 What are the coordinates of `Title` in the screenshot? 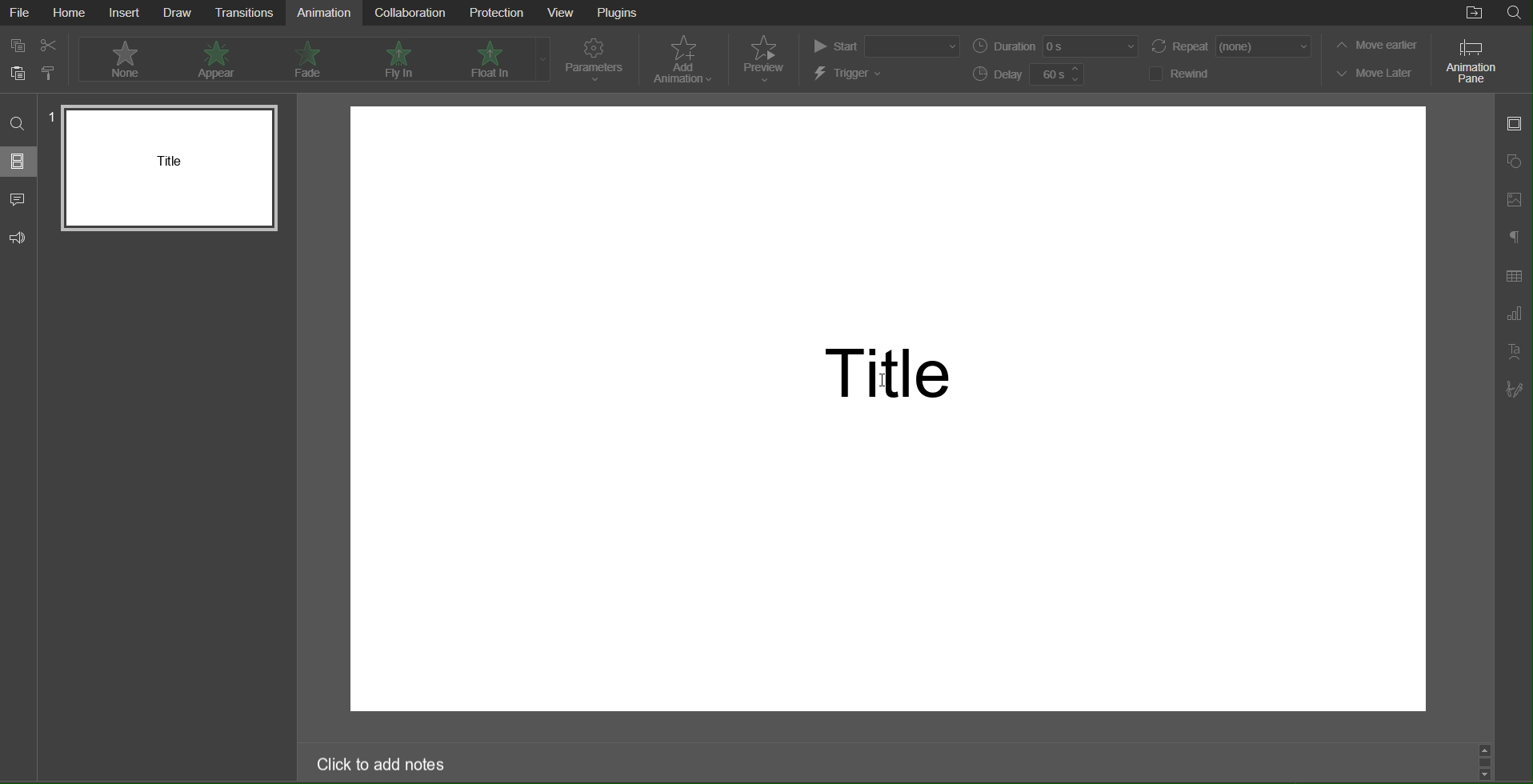 It's located at (881, 370).